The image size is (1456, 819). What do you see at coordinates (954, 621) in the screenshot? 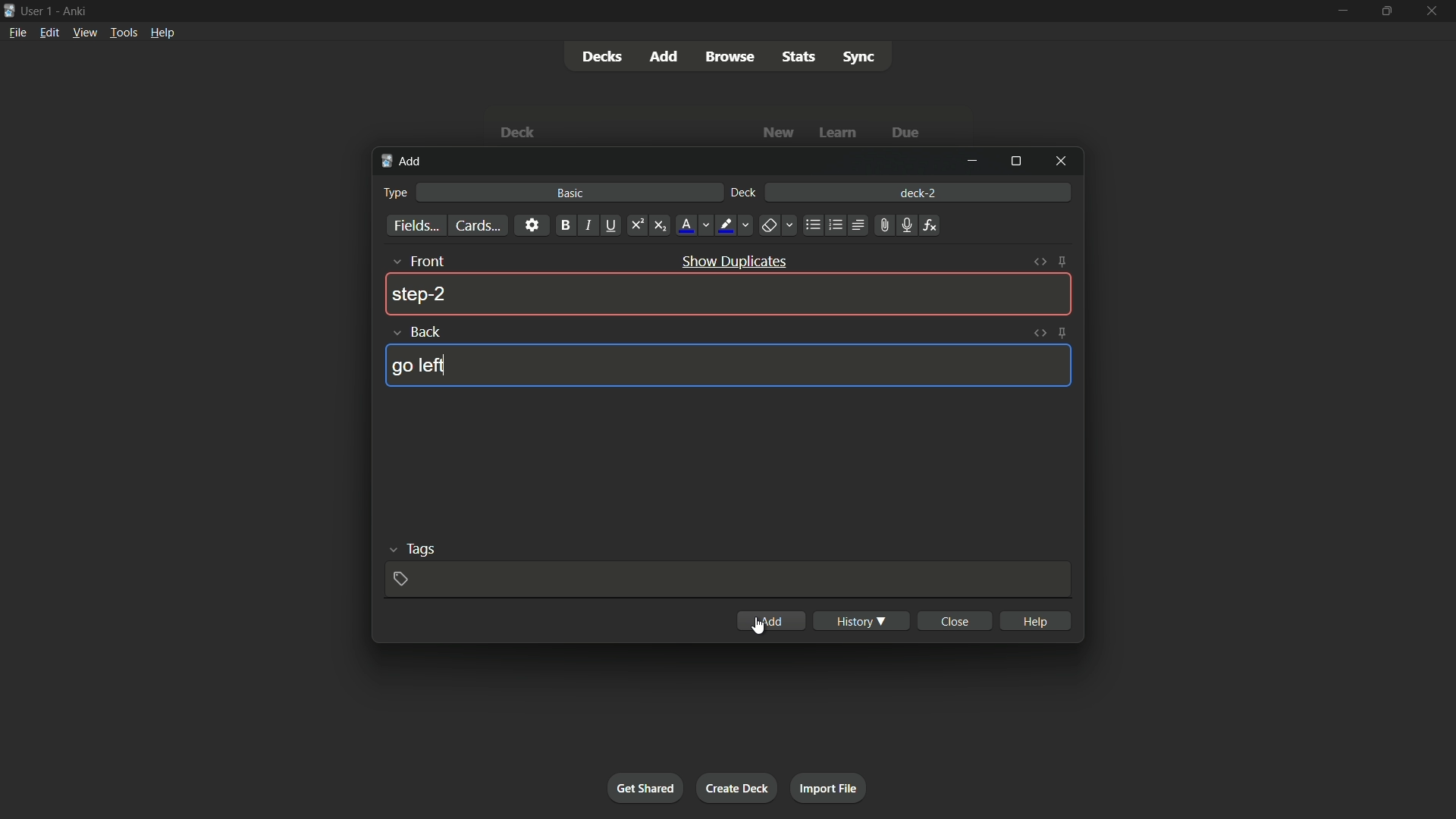
I see `close` at bounding box center [954, 621].